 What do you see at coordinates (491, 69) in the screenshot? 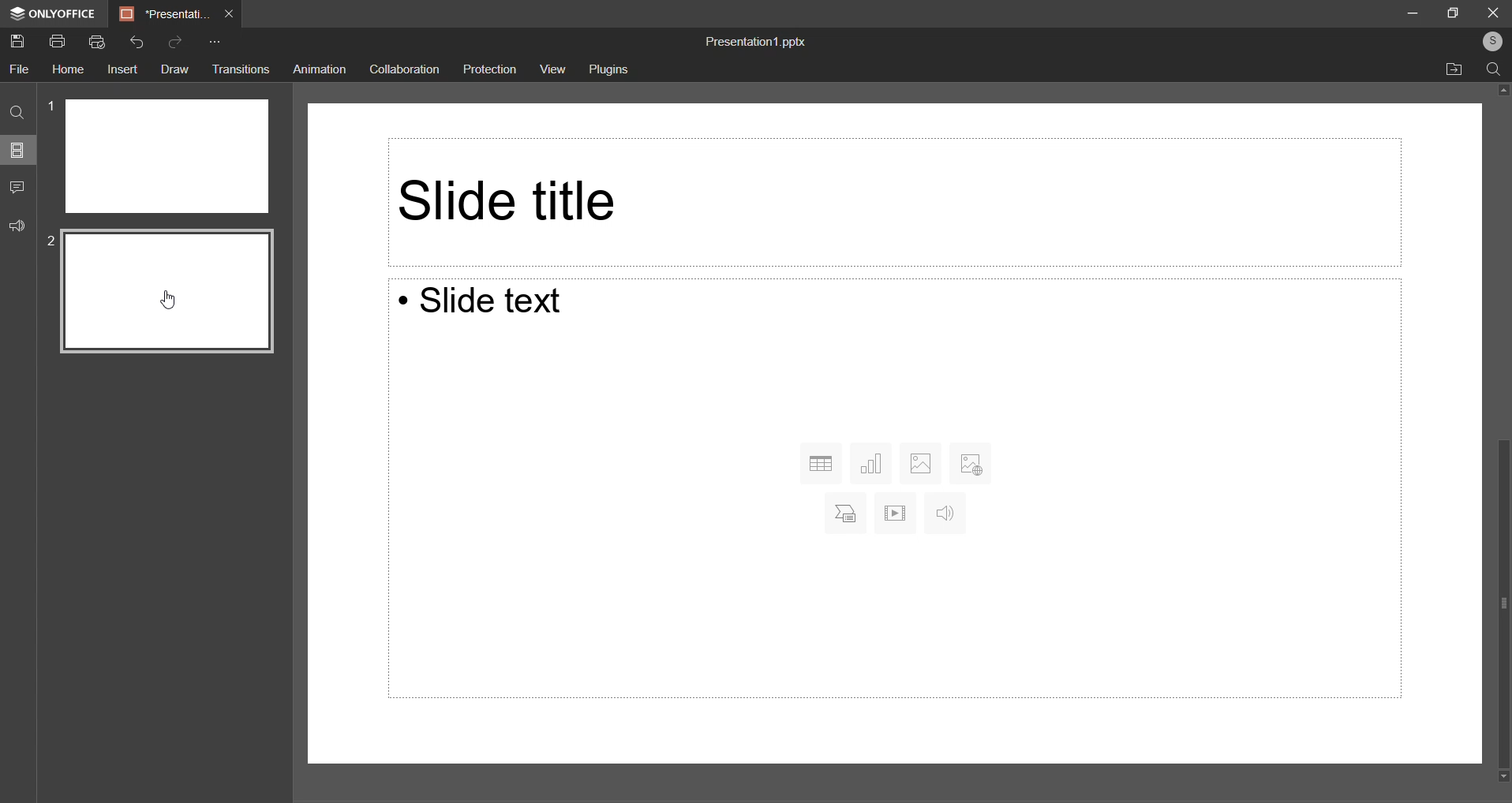
I see `protection` at bounding box center [491, 69].